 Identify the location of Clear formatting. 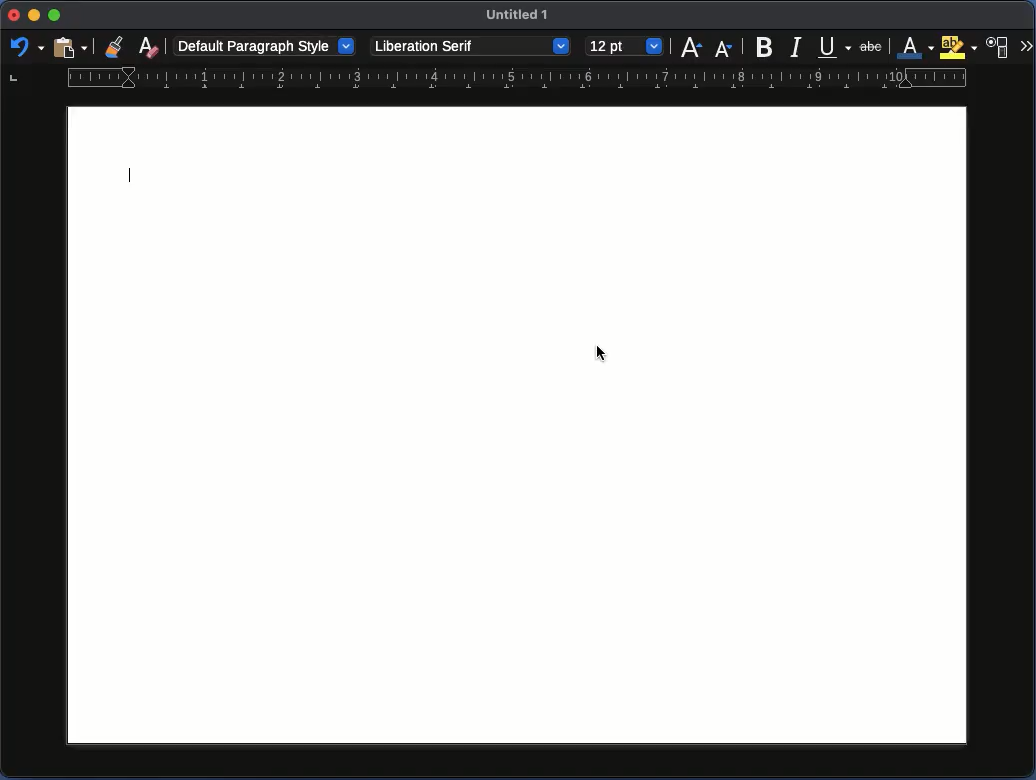
(148, 45).